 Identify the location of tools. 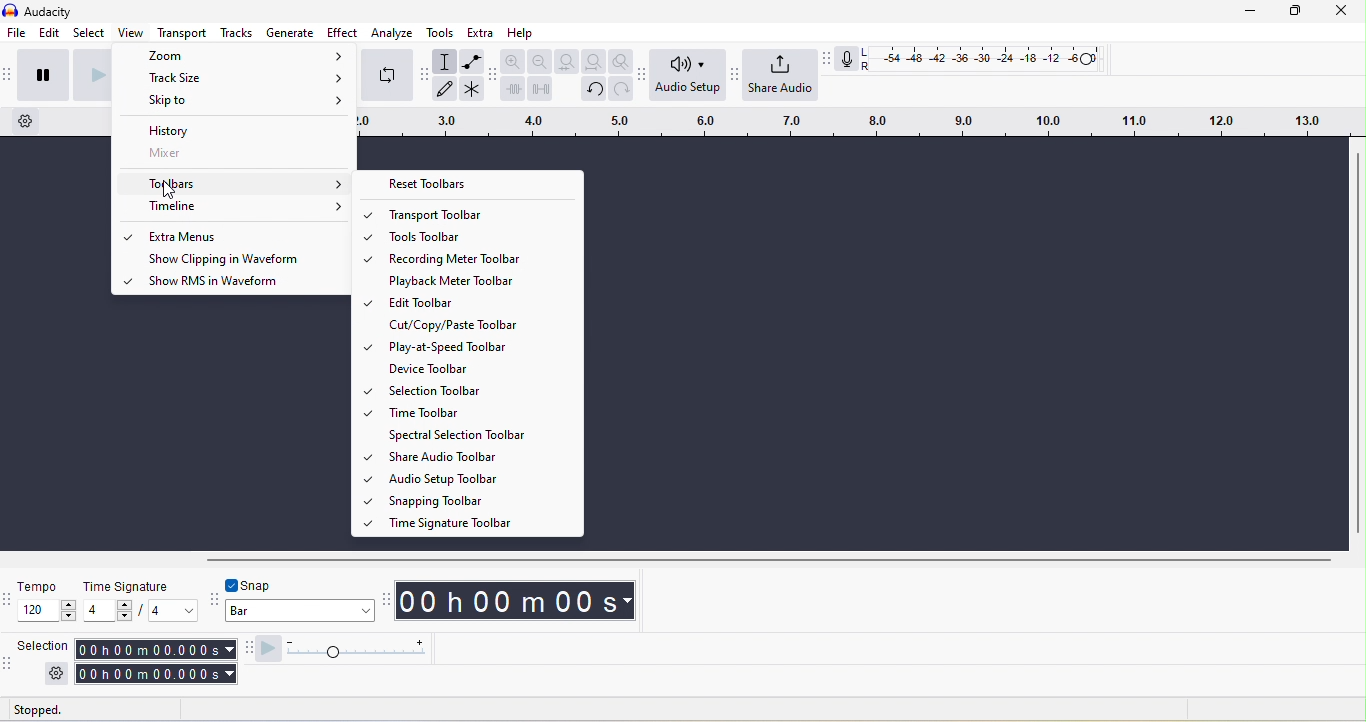
(440, 33).